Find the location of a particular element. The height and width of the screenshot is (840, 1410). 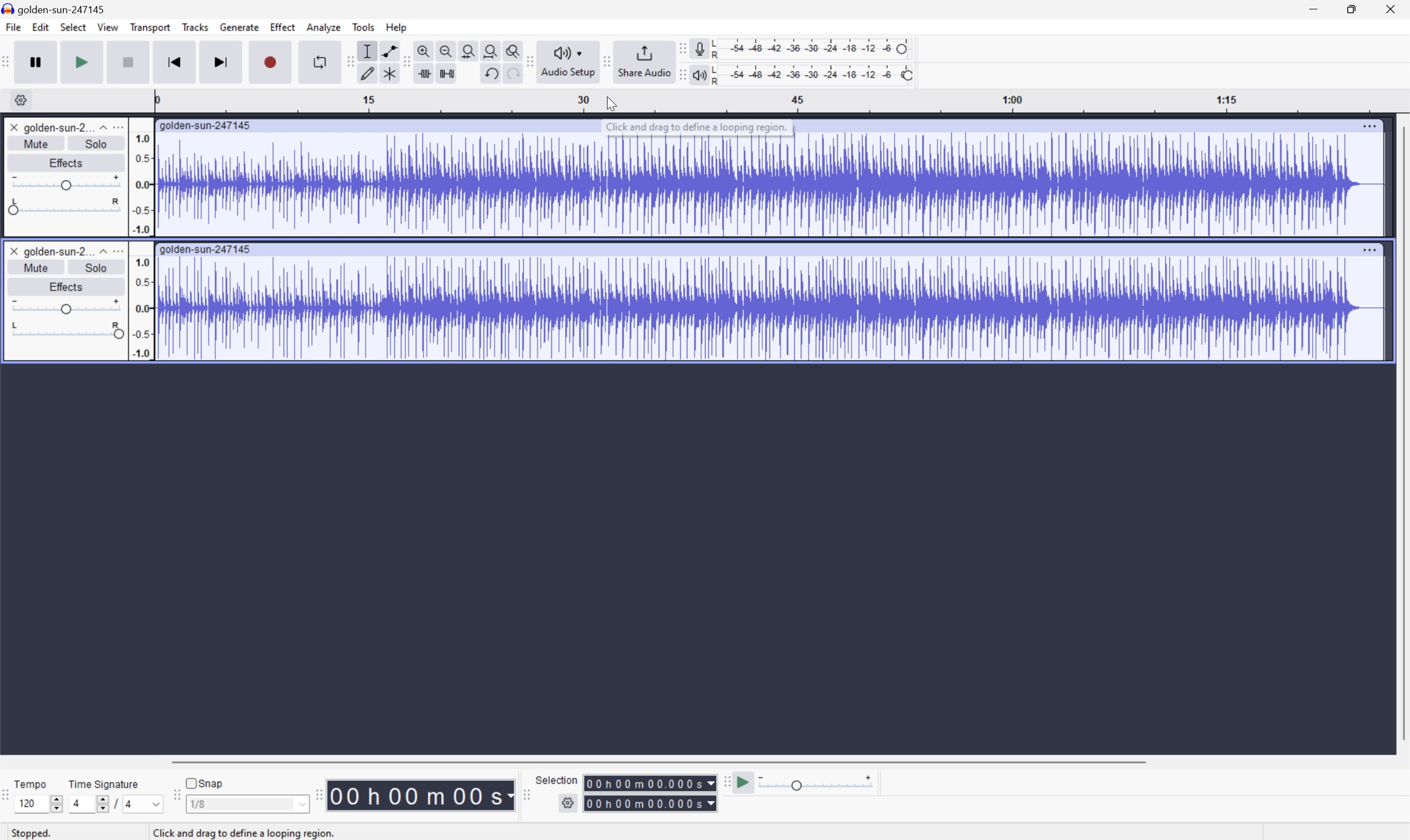

4 is located at coordinates (77, 802).